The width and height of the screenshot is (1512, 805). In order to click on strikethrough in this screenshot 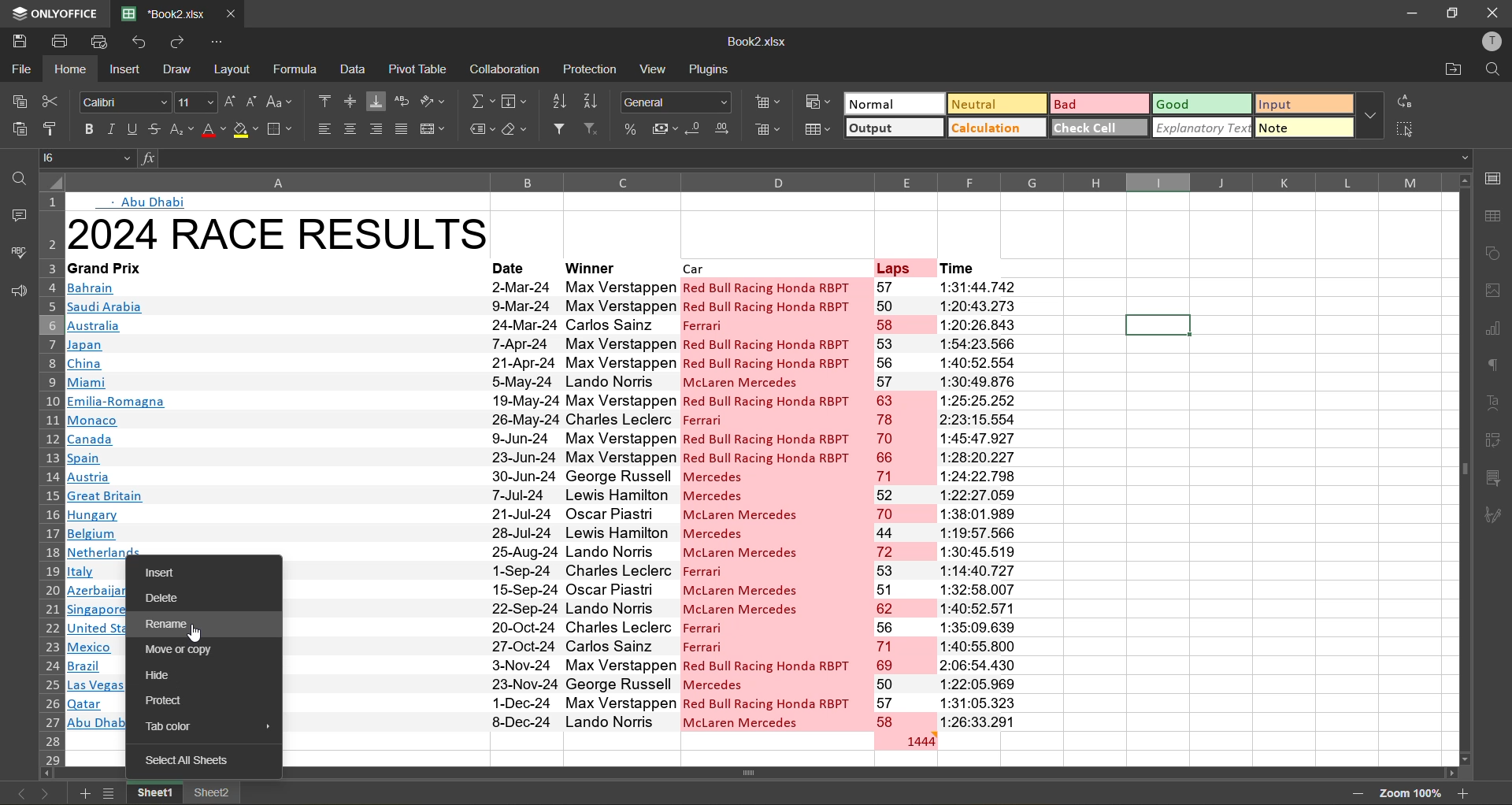, I will do `click(151, 129)`.